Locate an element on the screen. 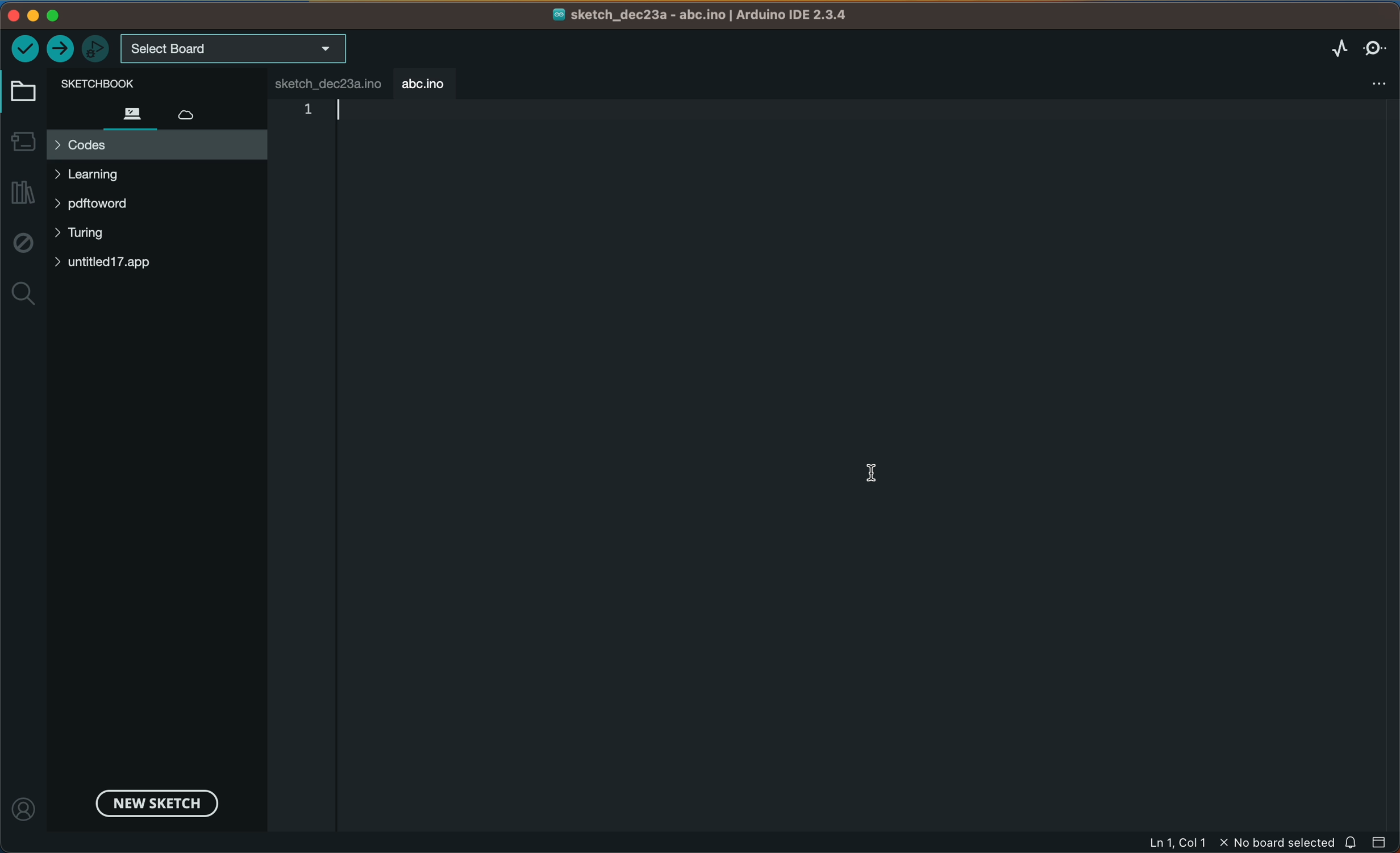  window control is located at coordinates (49, 15).